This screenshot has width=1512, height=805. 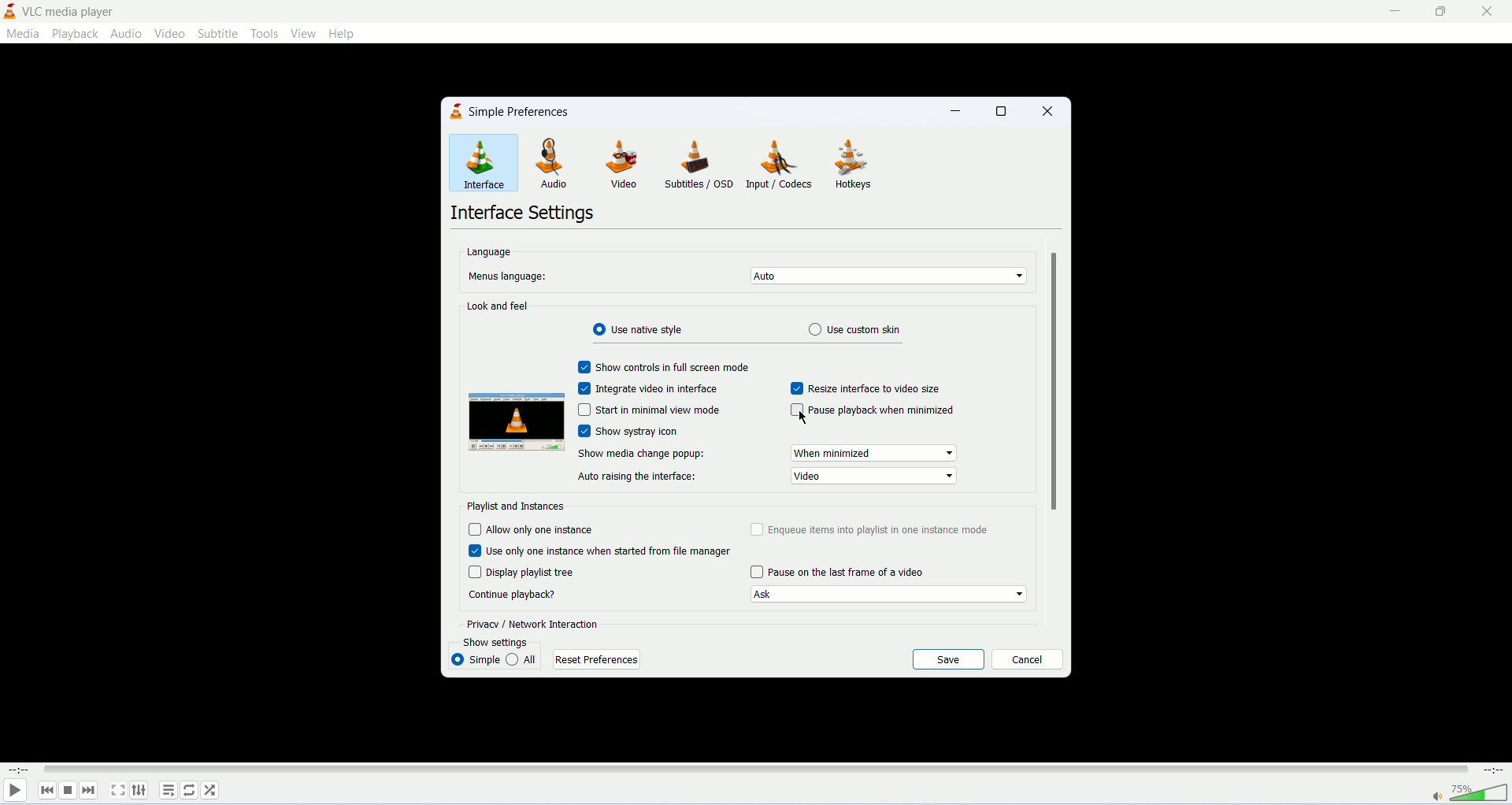 What do you see at coordinates (303, 34) in the screenshot?
I see `view` at bounding box center [303, 34].